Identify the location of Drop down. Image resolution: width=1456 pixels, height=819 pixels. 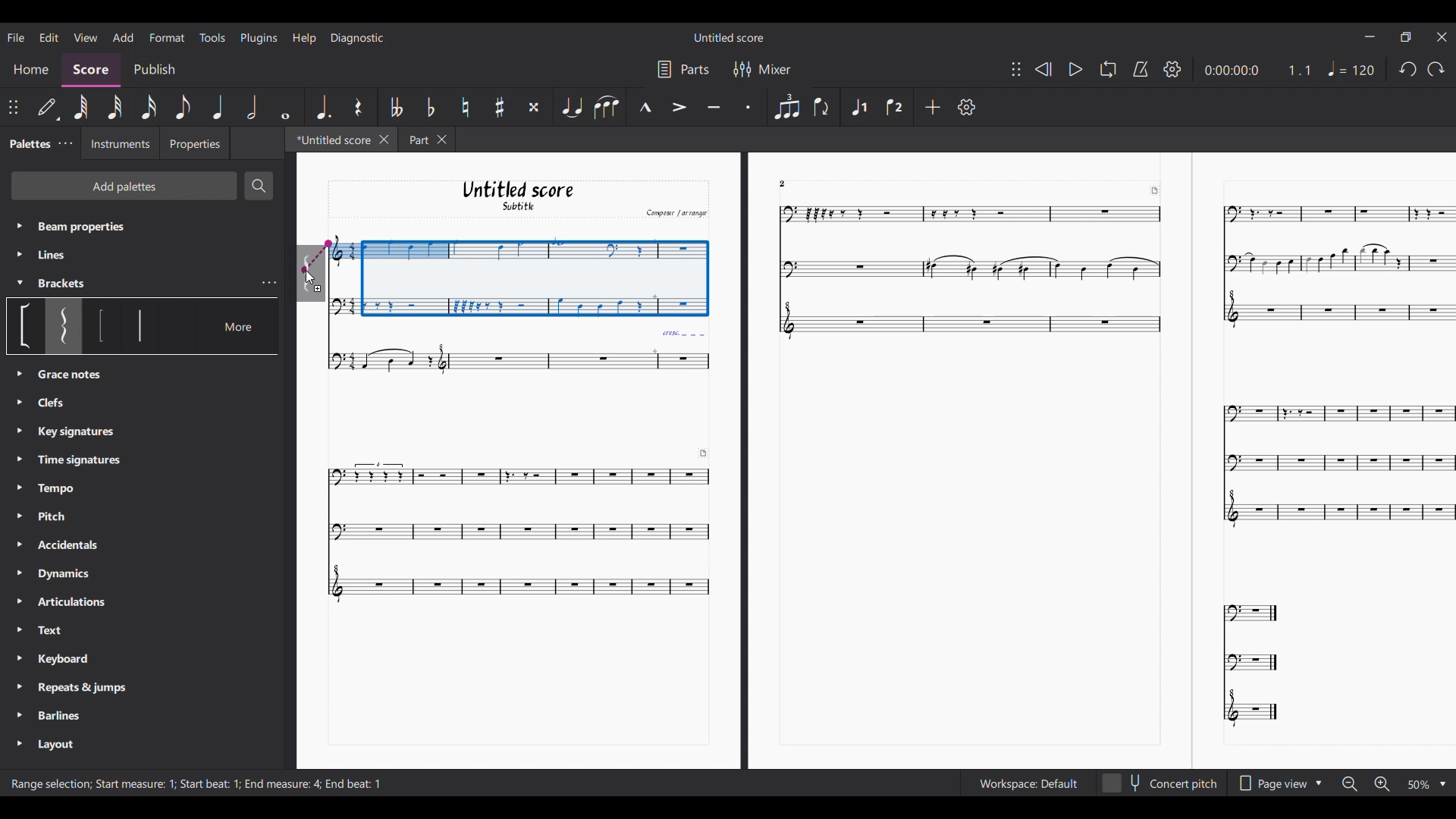
(1442, 785).